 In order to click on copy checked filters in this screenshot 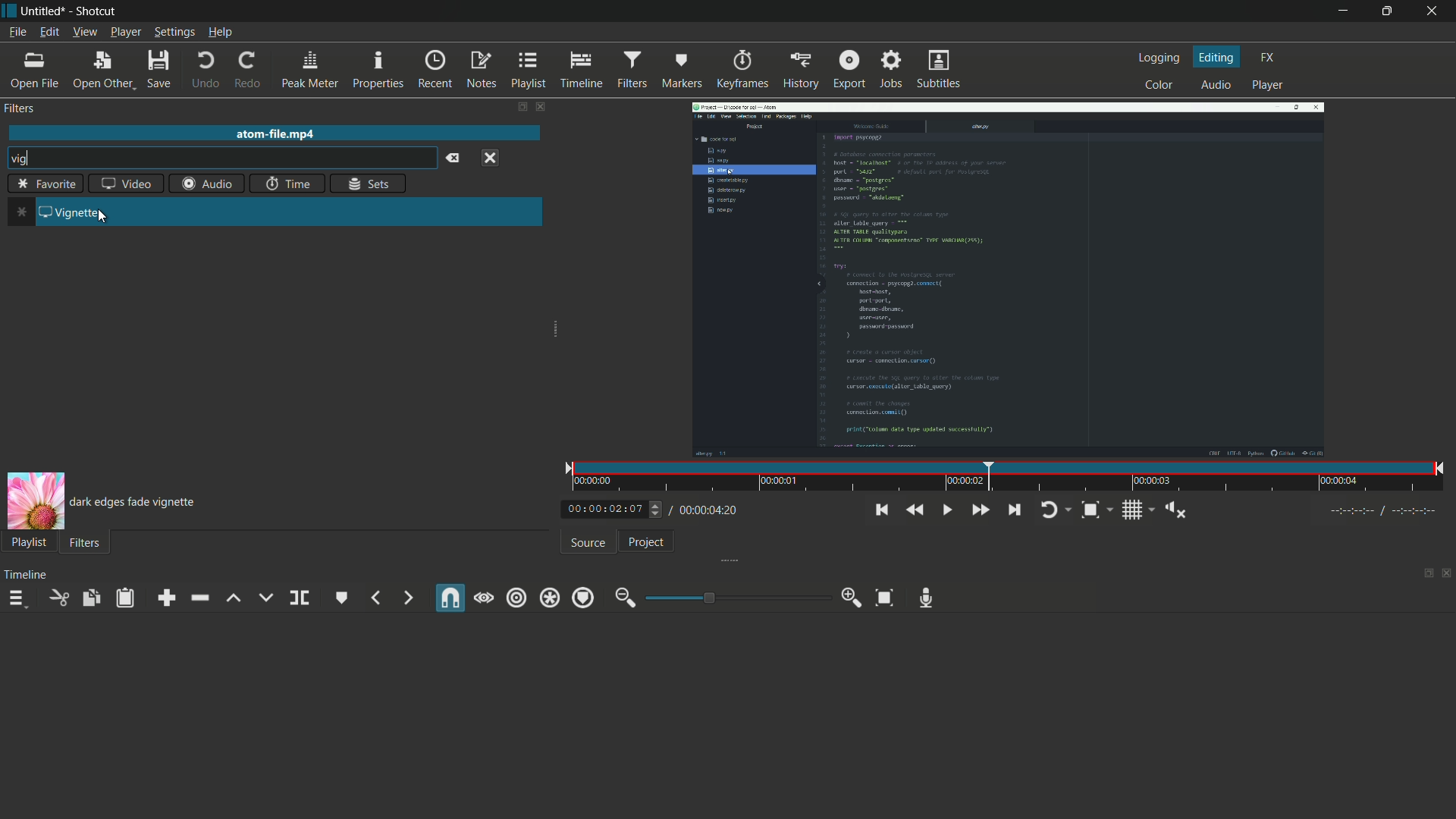, I will do `click(90, 598)`.